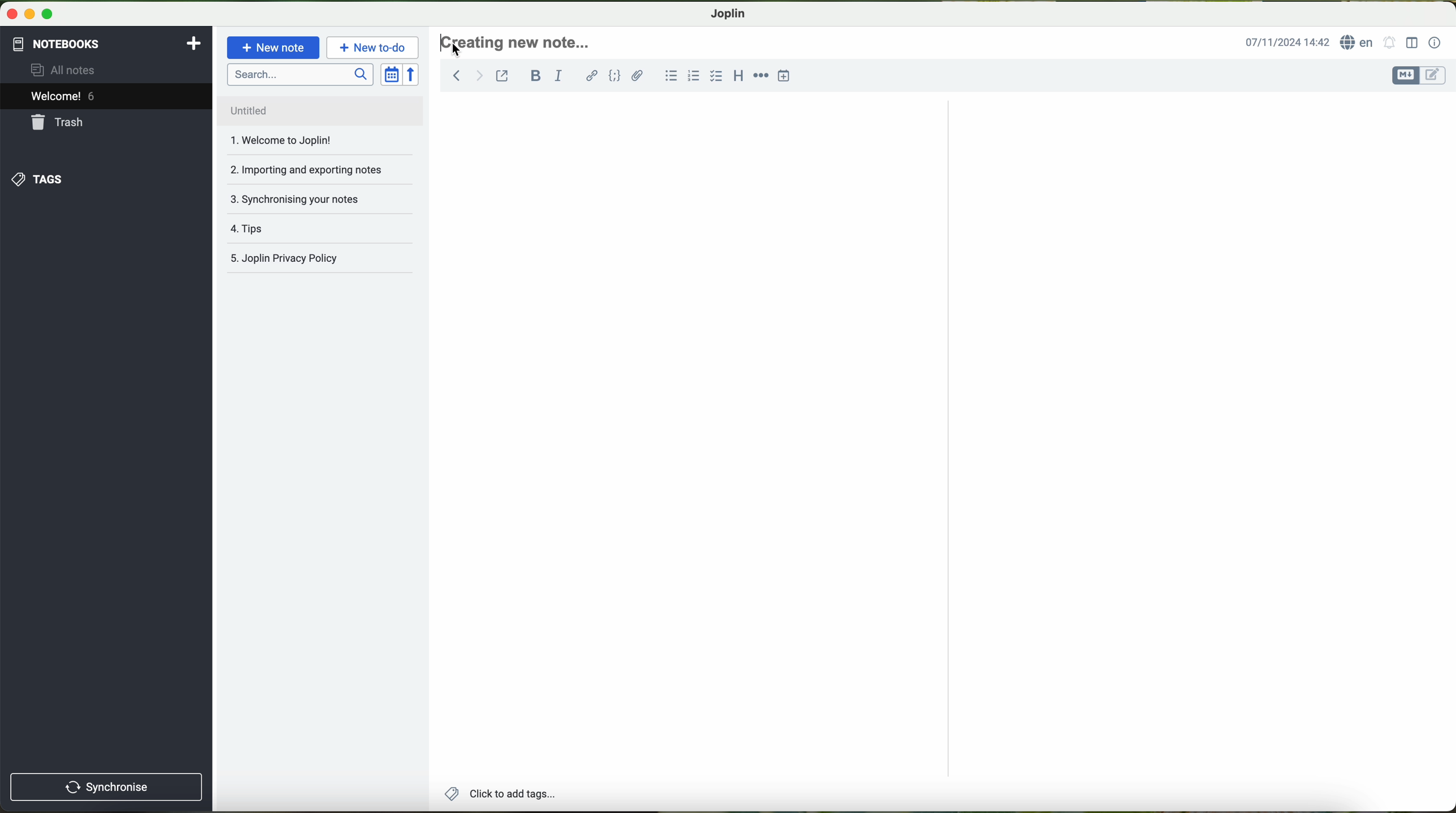 The image size is (1456, 813). What do you see at coordinates (107, 42) in the screenshot?
I see `notebooks` at bounding box center [107, 42].